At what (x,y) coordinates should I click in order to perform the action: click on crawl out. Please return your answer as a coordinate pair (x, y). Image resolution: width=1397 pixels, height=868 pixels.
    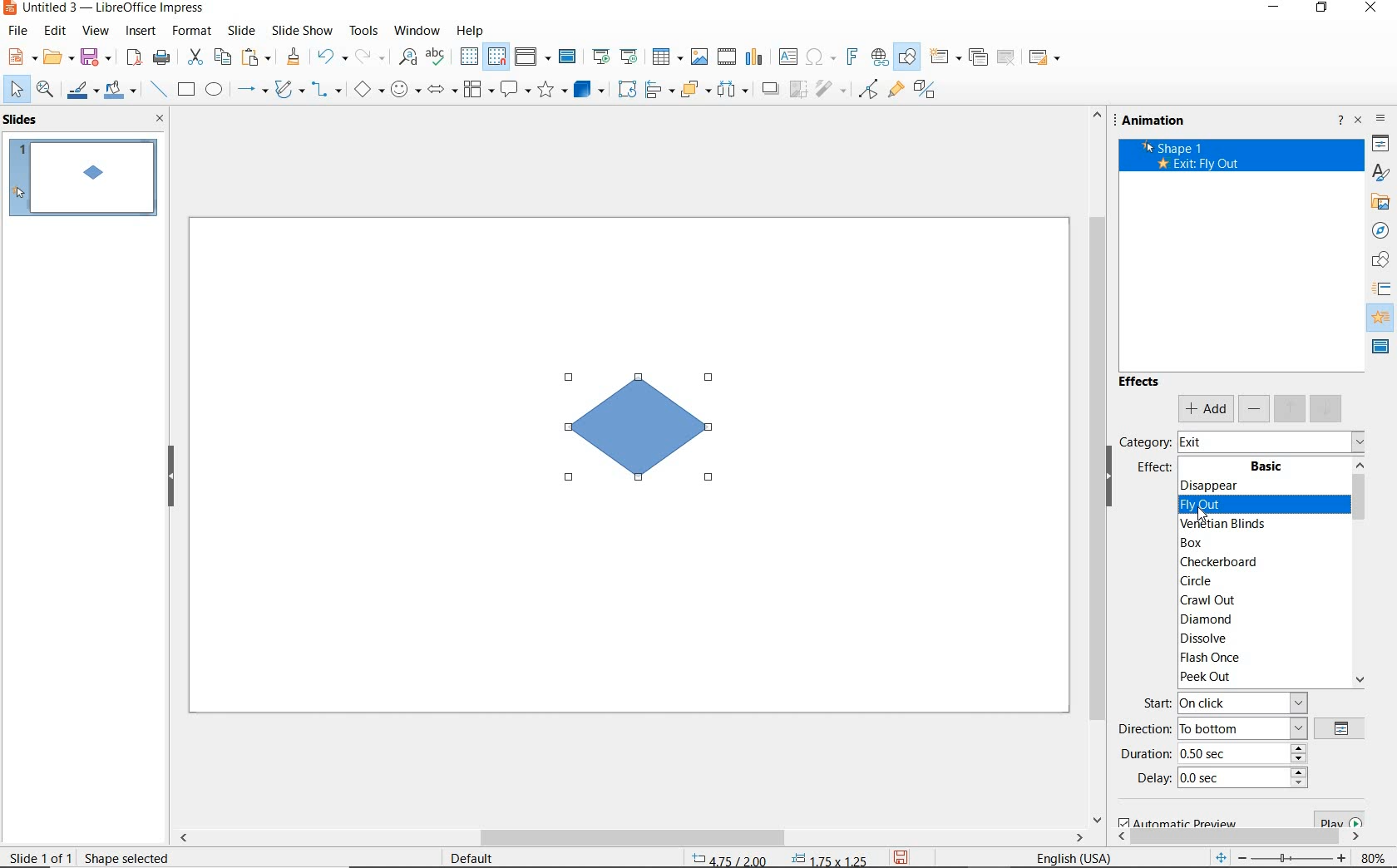
    Looking at the image, I should click on (1256, 601).